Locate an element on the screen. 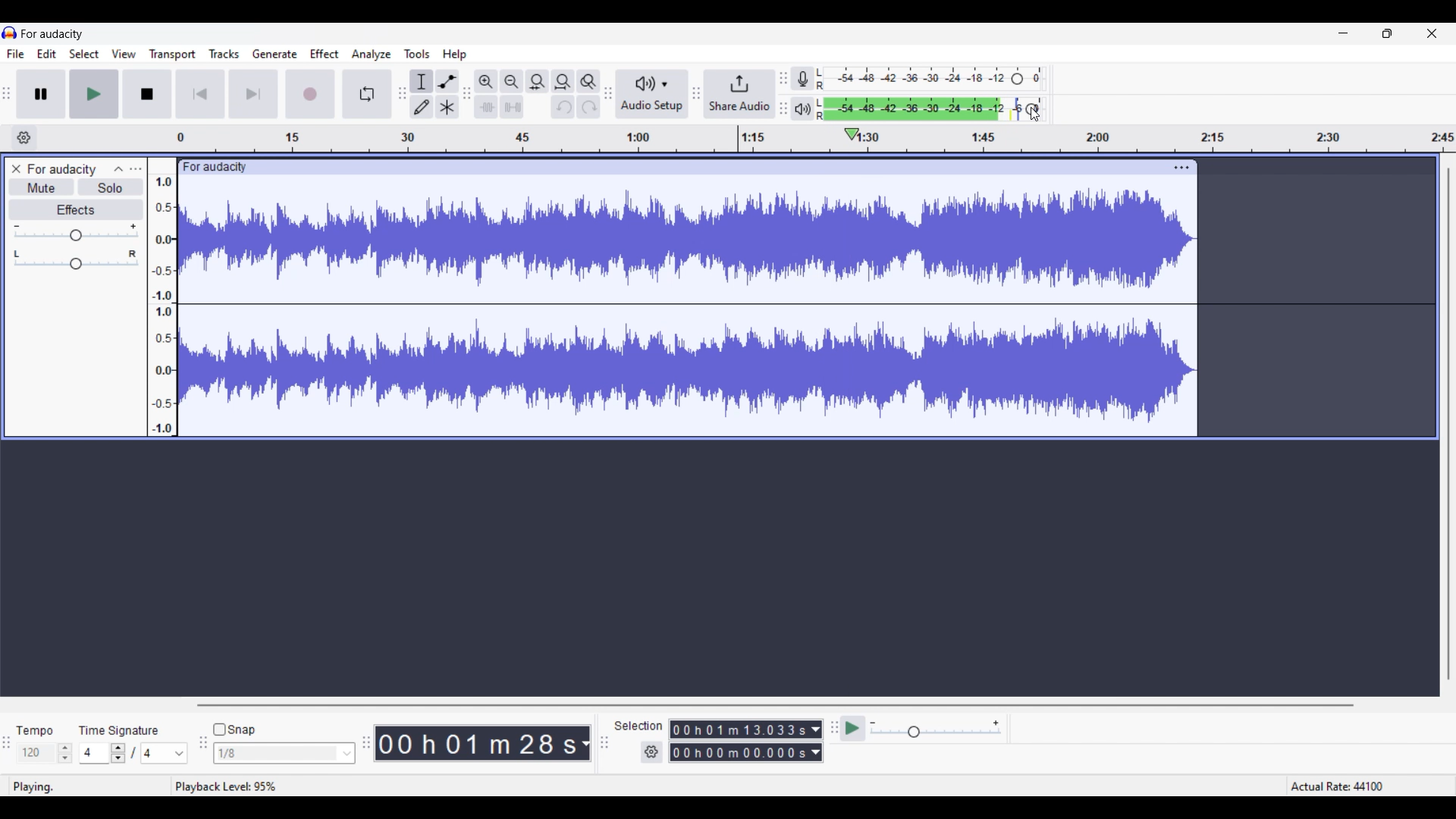 Image resolution: width=1456 pixels, height=819 pixels. Redo is located at coordinates (588, 107).